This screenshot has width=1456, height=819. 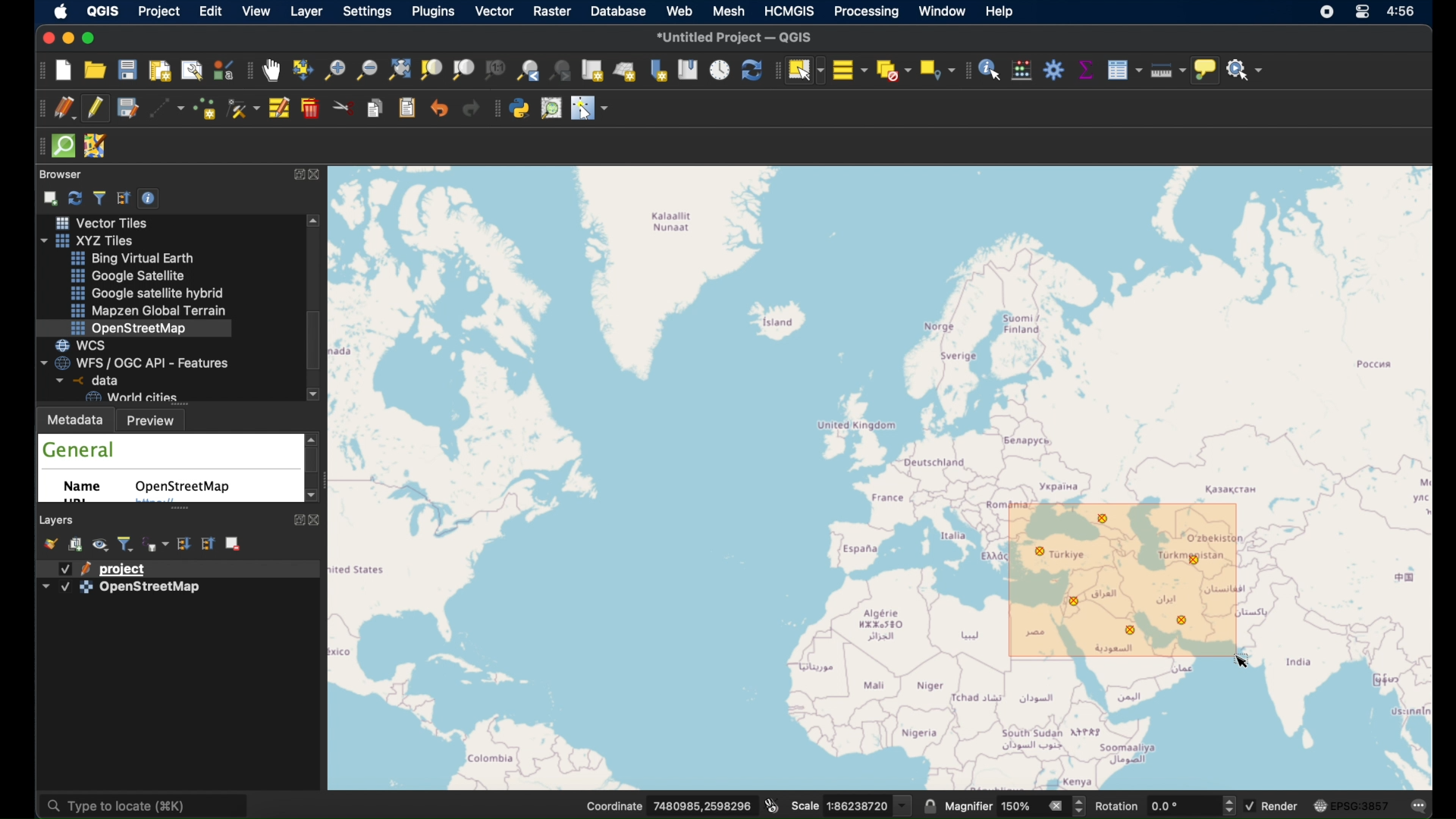 I want to click on zoom next, so click(x=562, y=71).